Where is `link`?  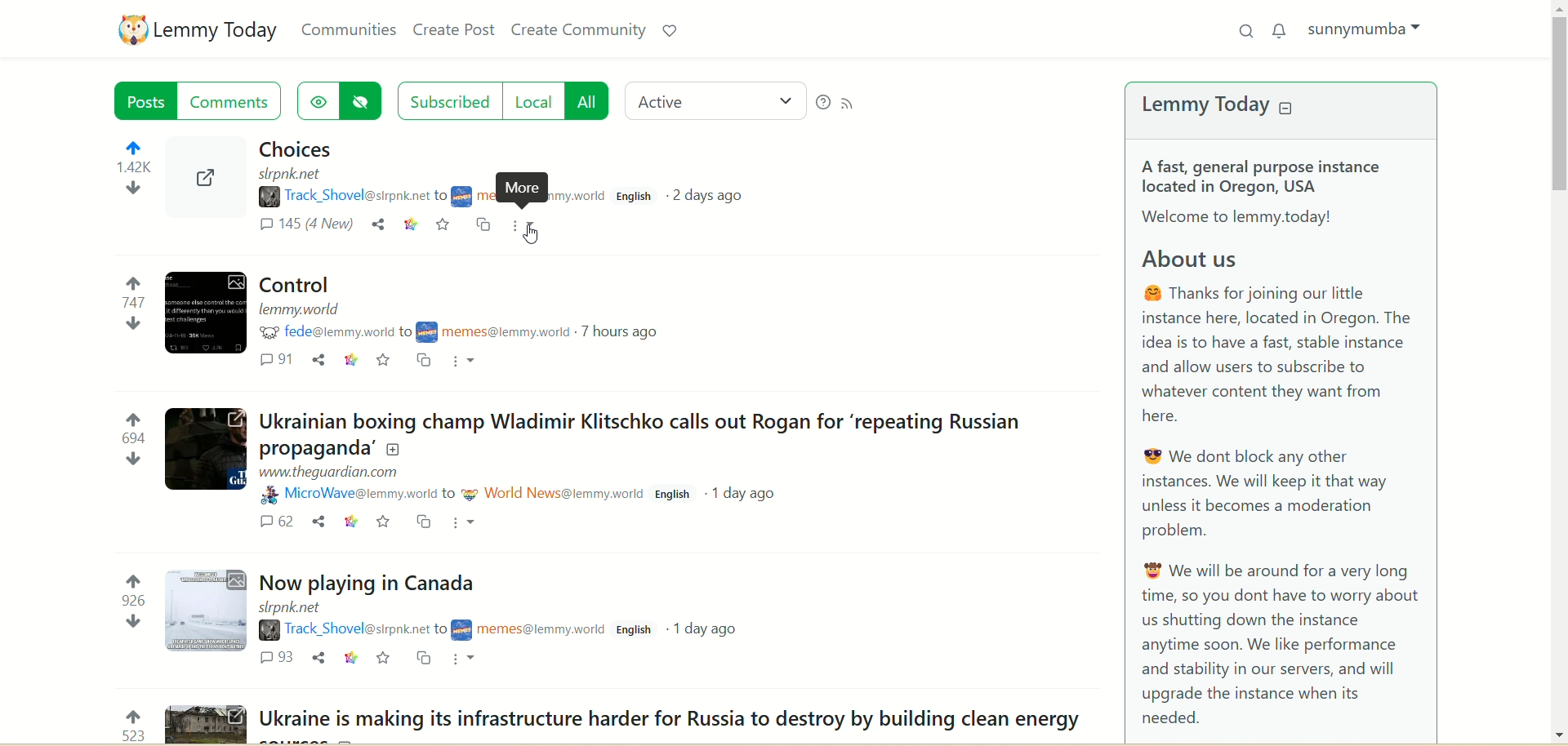 link is located at coordinates (351, 362).